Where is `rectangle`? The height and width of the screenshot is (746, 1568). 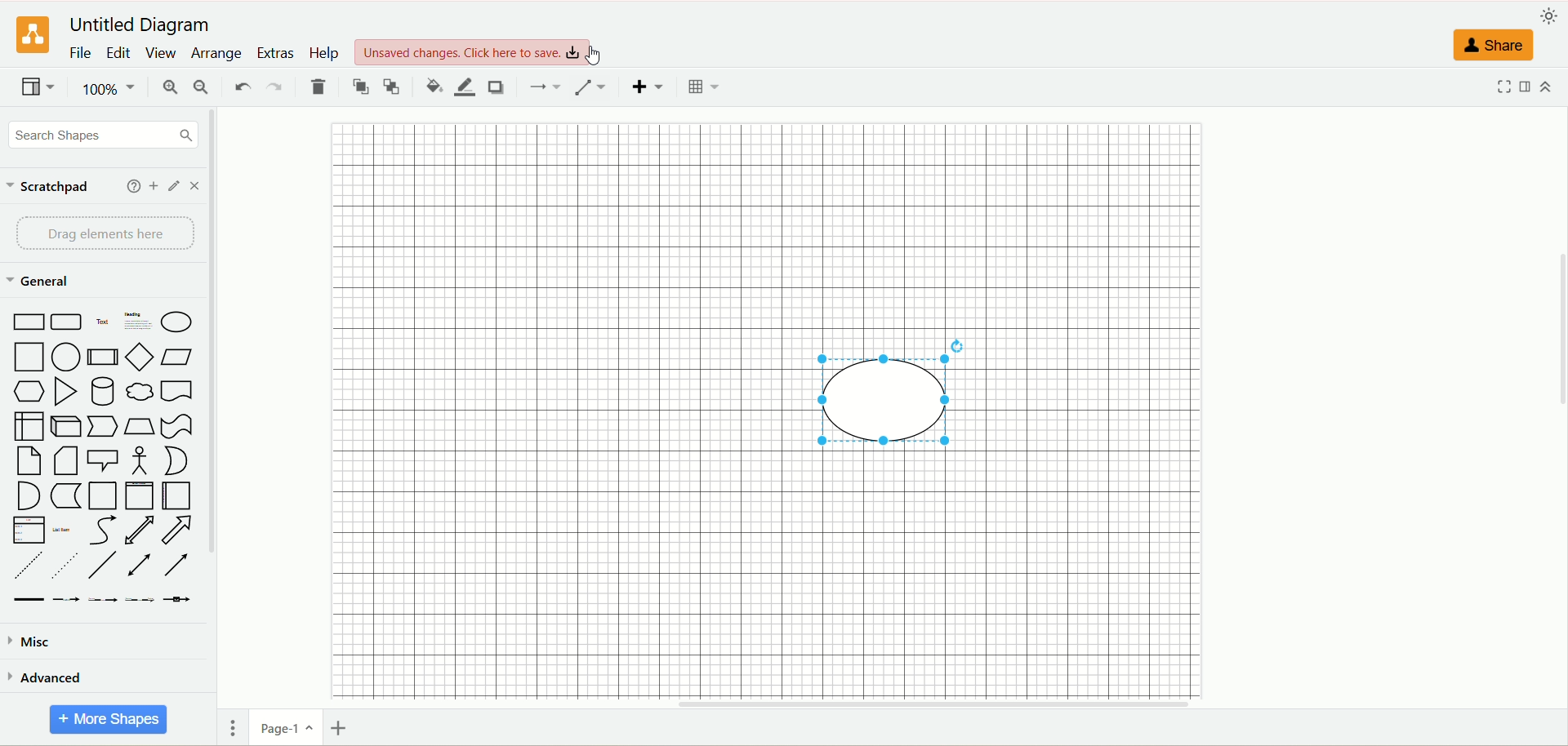
rectangle is located at coordinates (26, 322).